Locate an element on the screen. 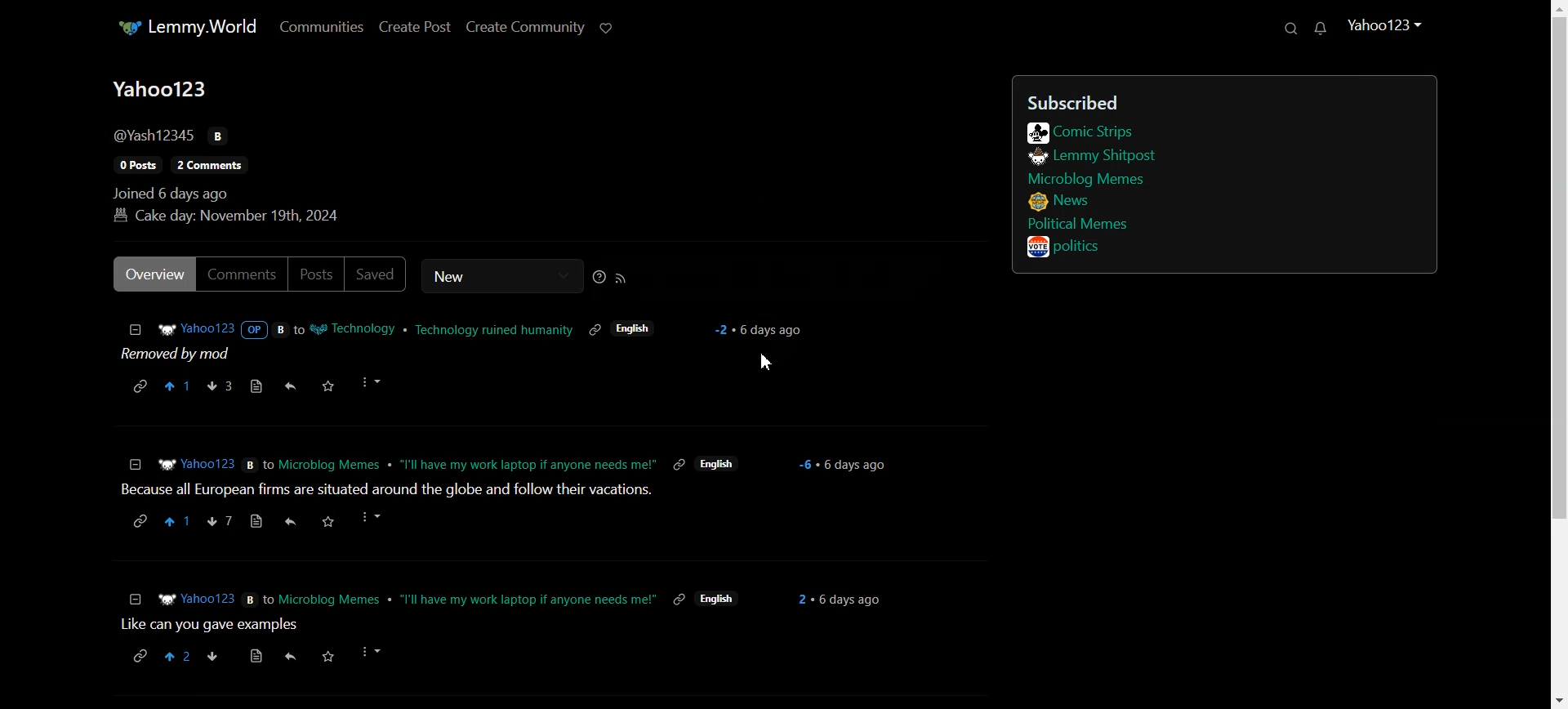   is located at coordinates (213, 657).